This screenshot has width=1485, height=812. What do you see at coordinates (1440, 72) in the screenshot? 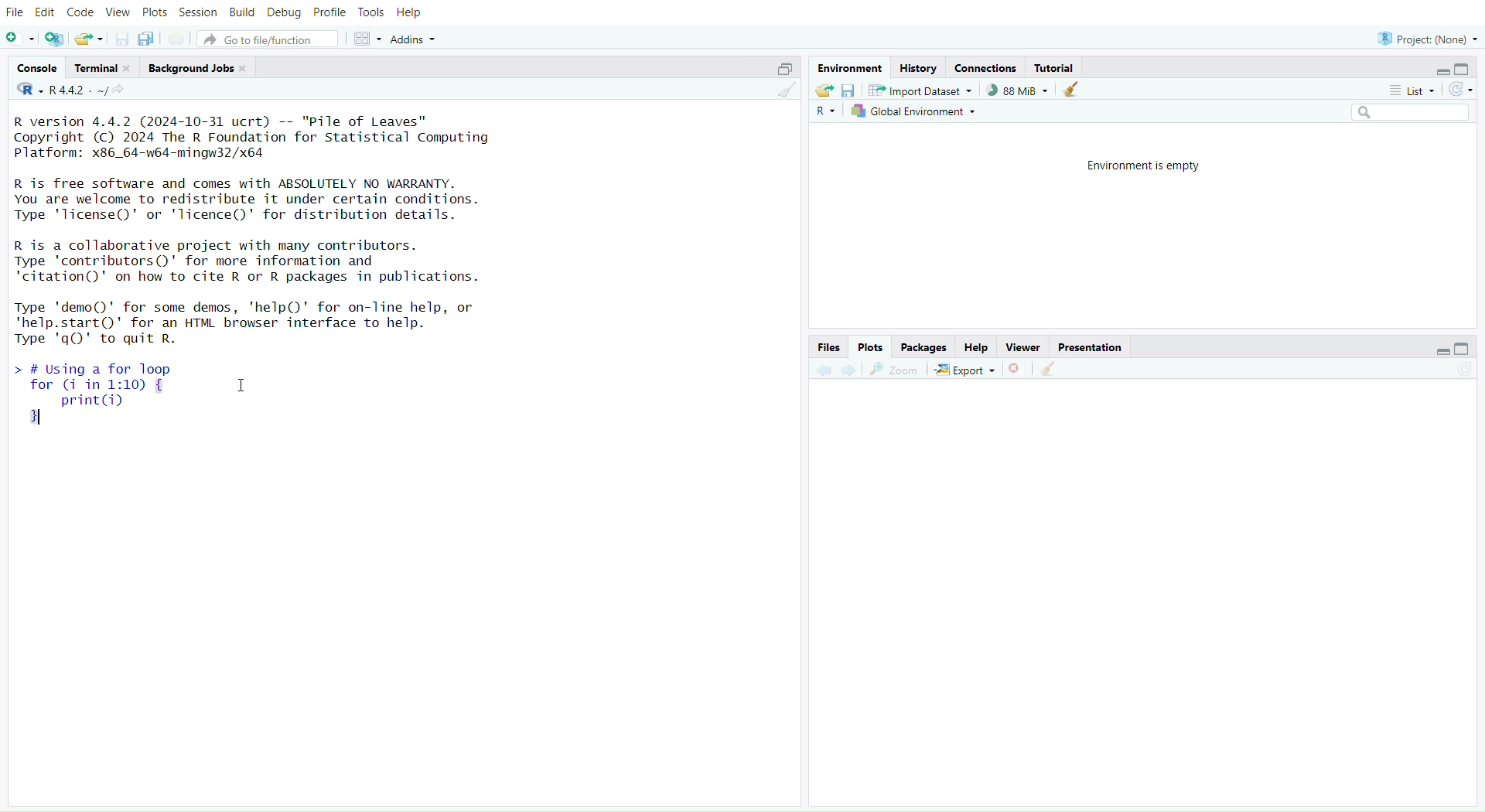
I see `expand` at bounding box center [1440, 72].